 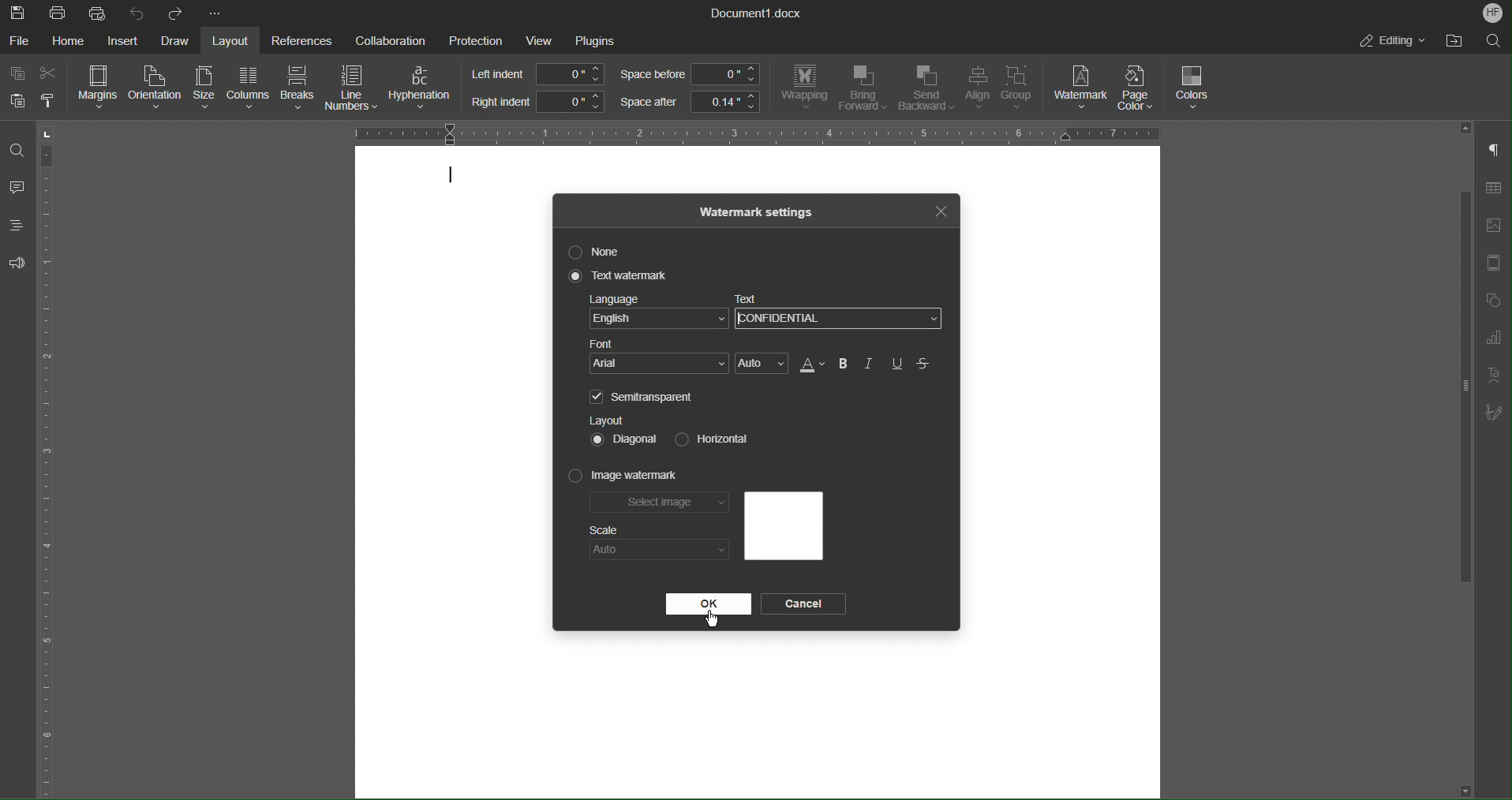 I want to click on Redo, so click(x=174, y=13).